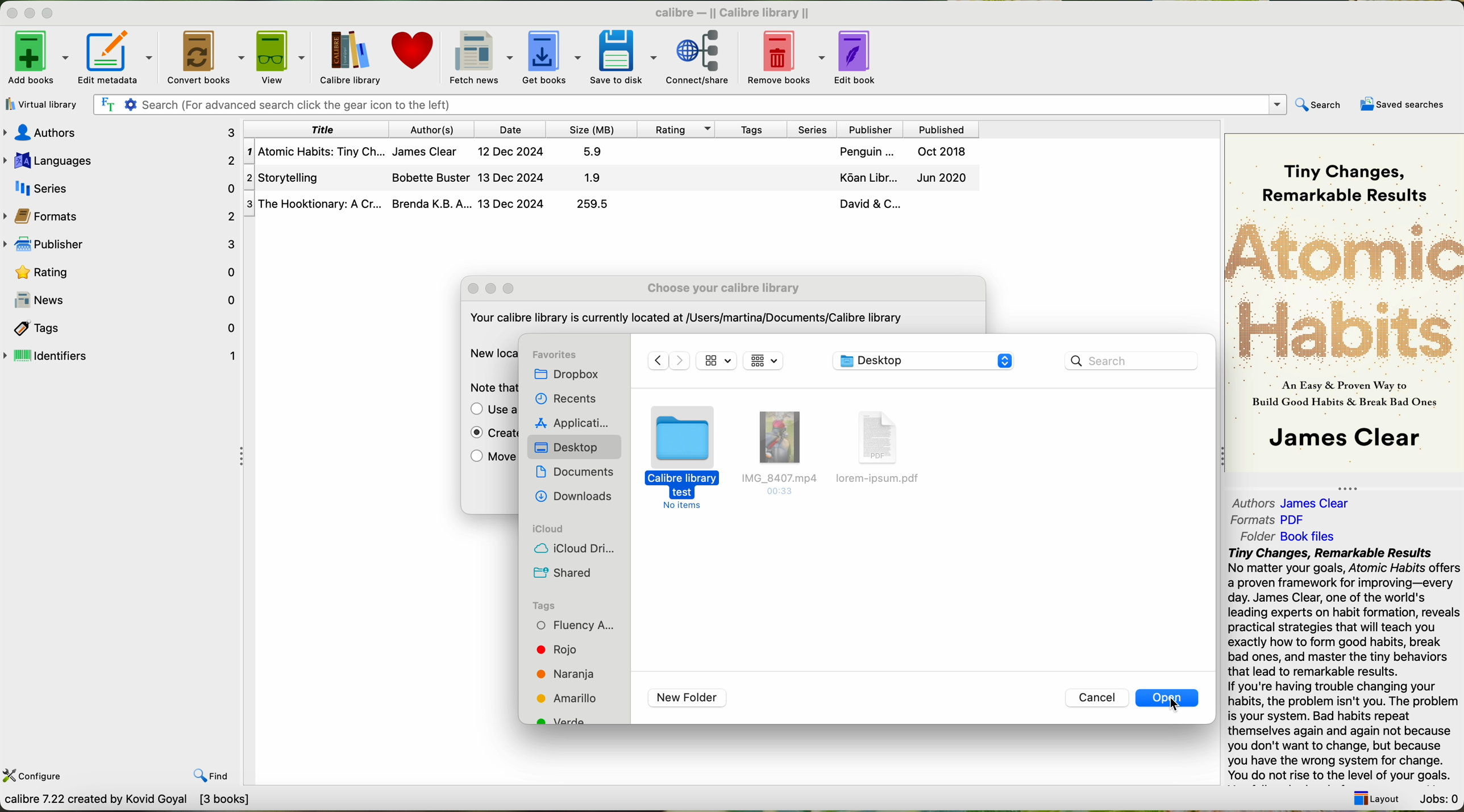 The height and width of the screenshot is (812, 1464). What do you see at coordinates (510, 129) in the screenshot?
I see `date` at bounding box center [510, 129].